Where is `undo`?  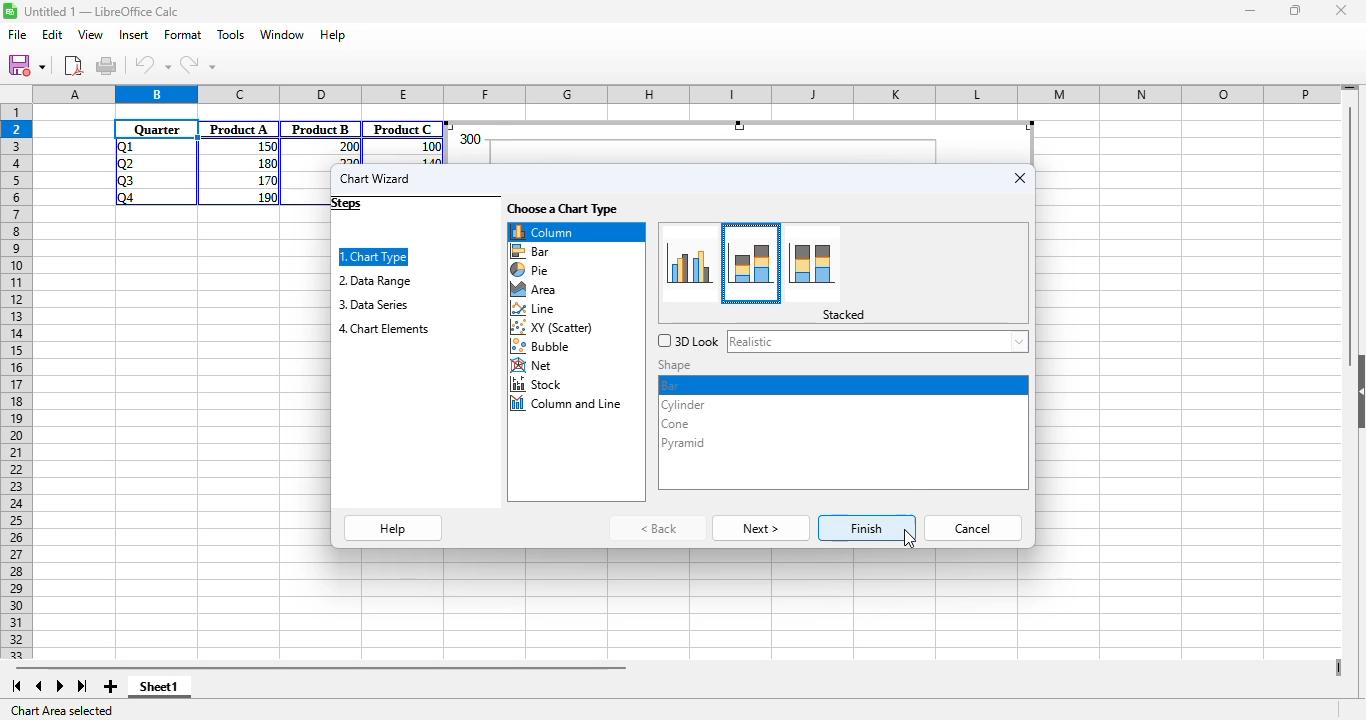
undo is located at coordinates (153, 65).